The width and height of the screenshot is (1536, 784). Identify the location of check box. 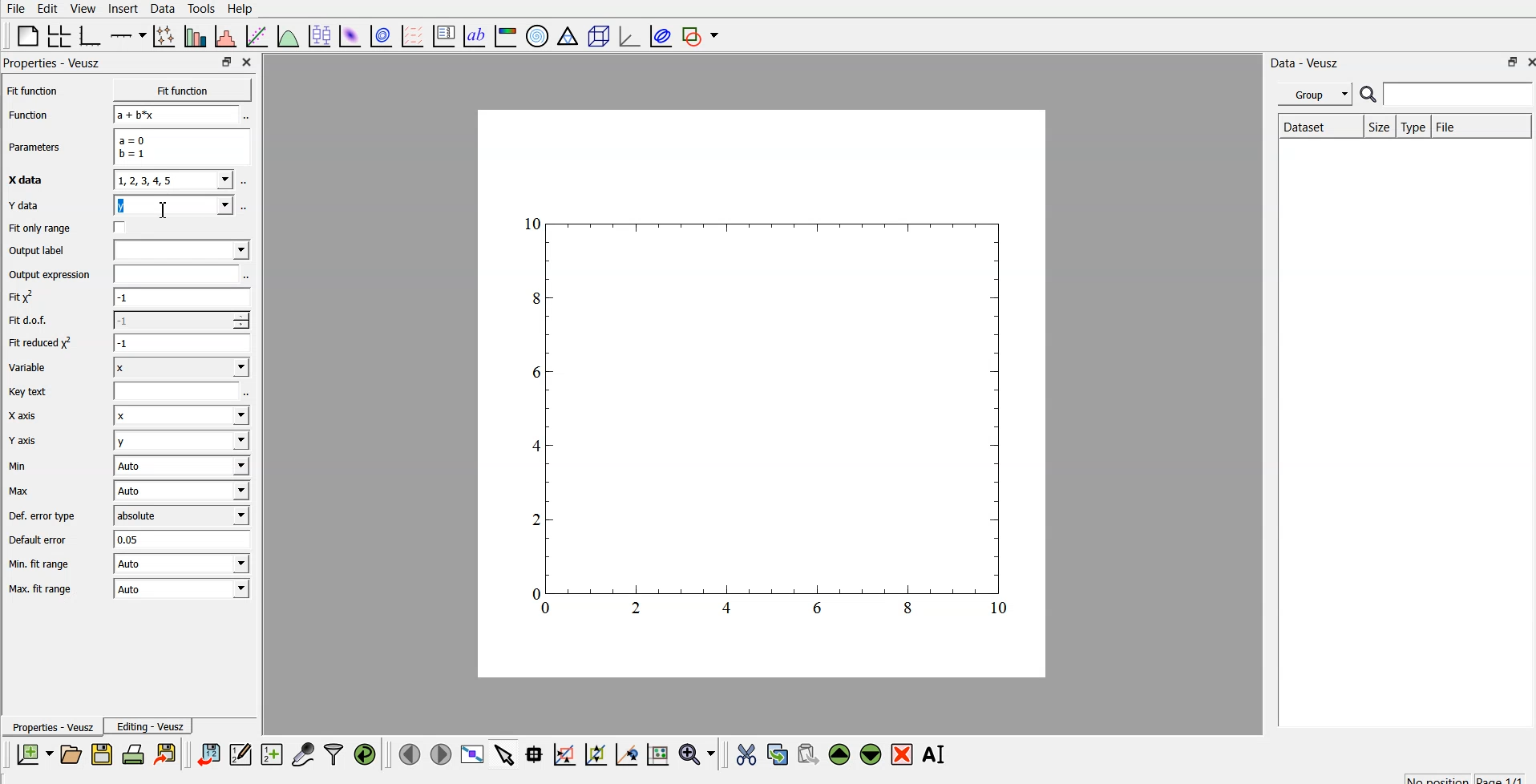
(122, 227).